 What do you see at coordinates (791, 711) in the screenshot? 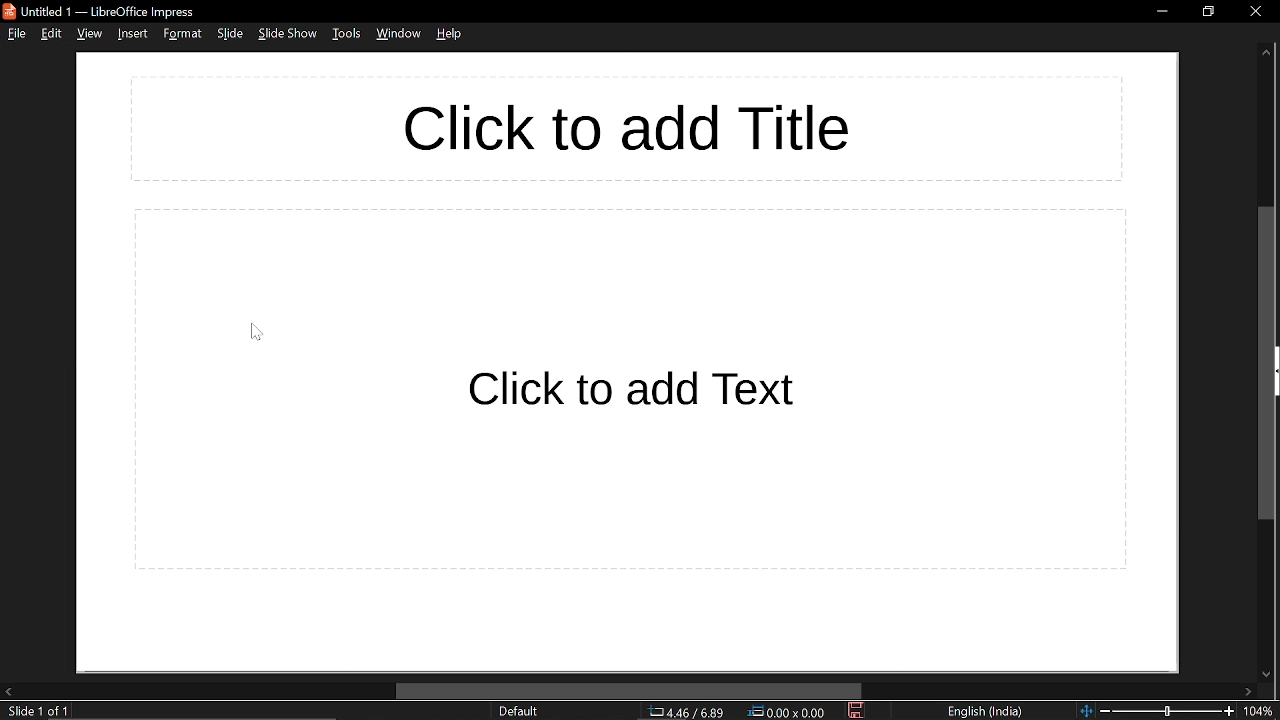
I see `position` at bounding box center [791, 711].